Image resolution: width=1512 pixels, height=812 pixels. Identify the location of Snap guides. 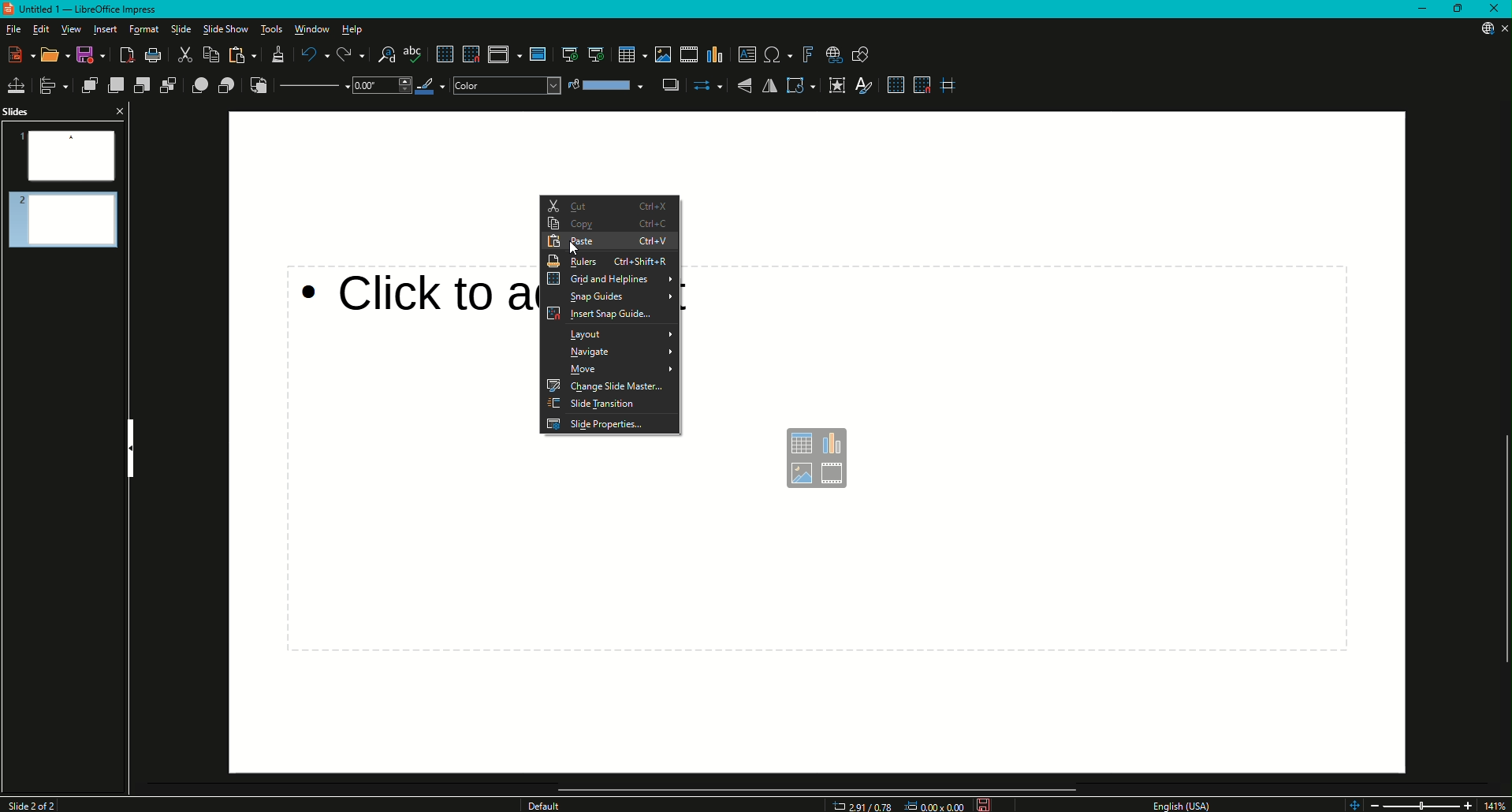
(611, 296).